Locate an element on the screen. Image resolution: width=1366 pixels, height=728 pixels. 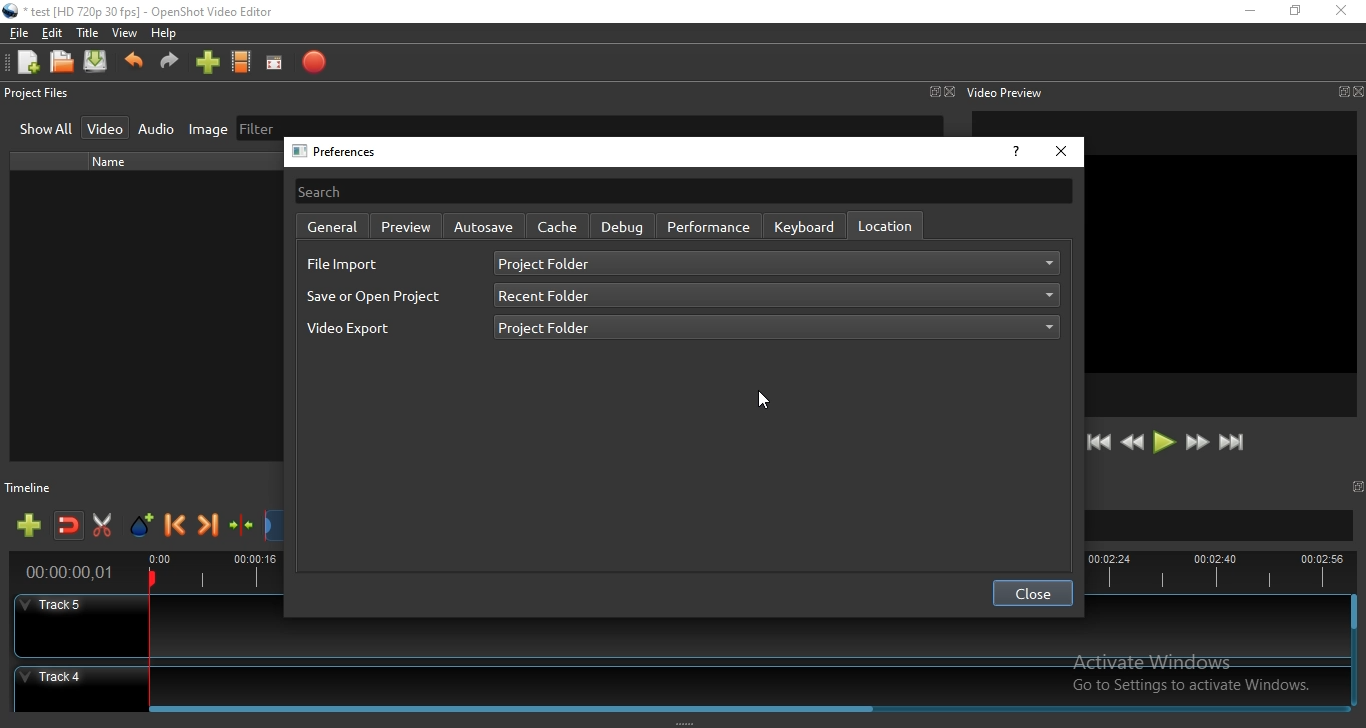
Add track is located at coordinates (31, 526).